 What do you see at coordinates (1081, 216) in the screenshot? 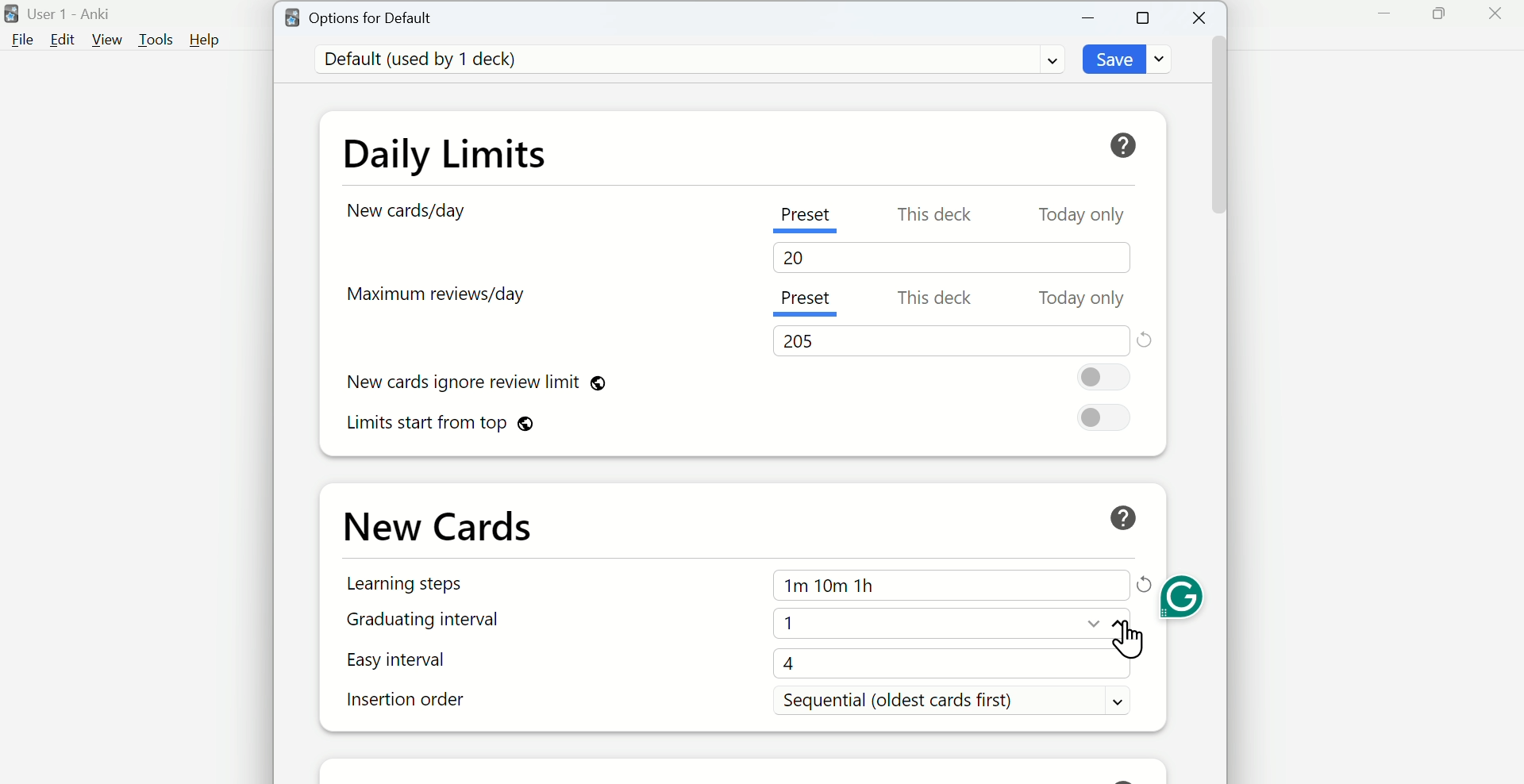
I see `Today  only` at bounding box center [1081, 216].